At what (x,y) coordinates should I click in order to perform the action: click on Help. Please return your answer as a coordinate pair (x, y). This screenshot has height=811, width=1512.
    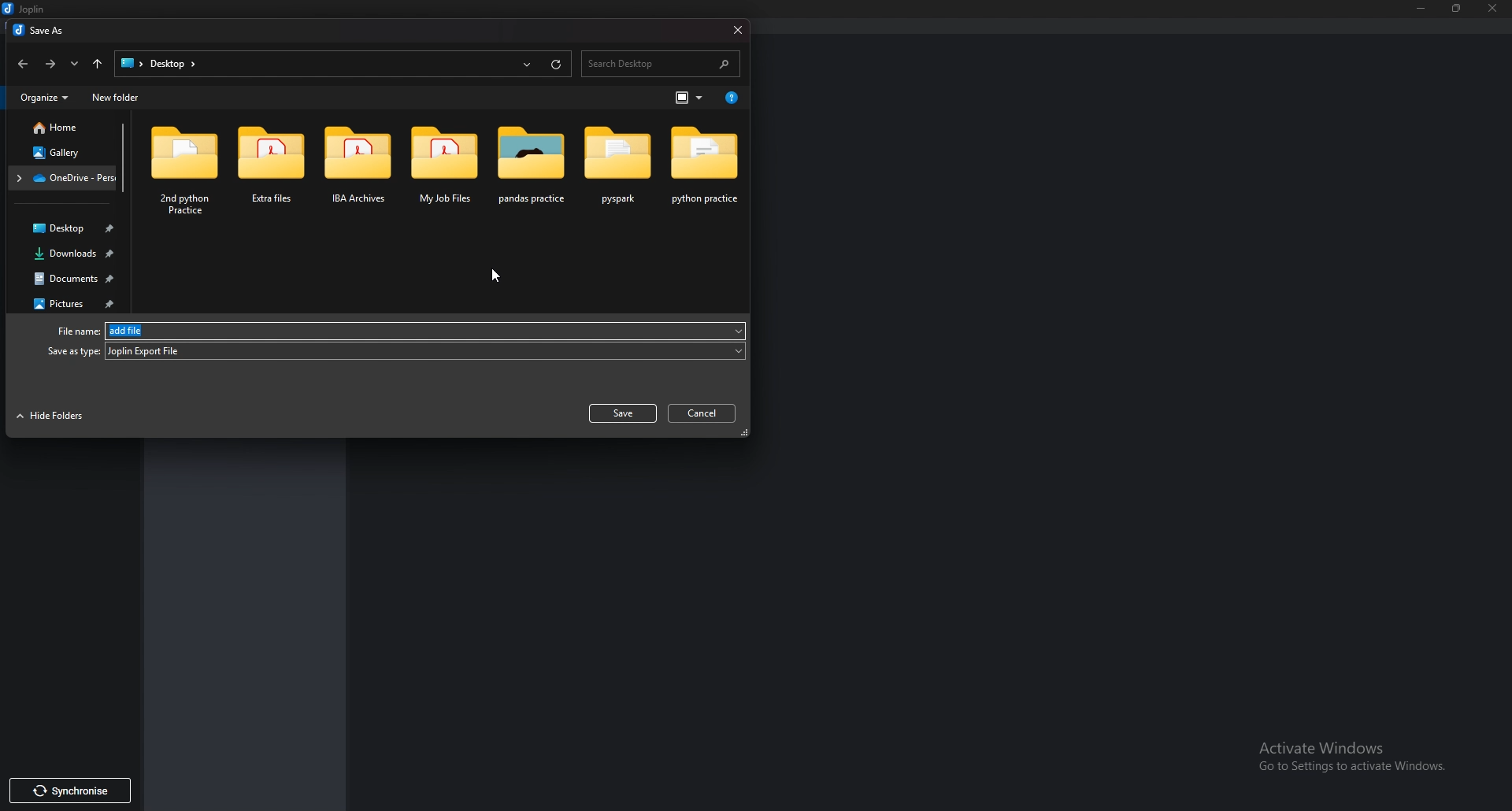
    Looking at the image, I should click on (734, 98).